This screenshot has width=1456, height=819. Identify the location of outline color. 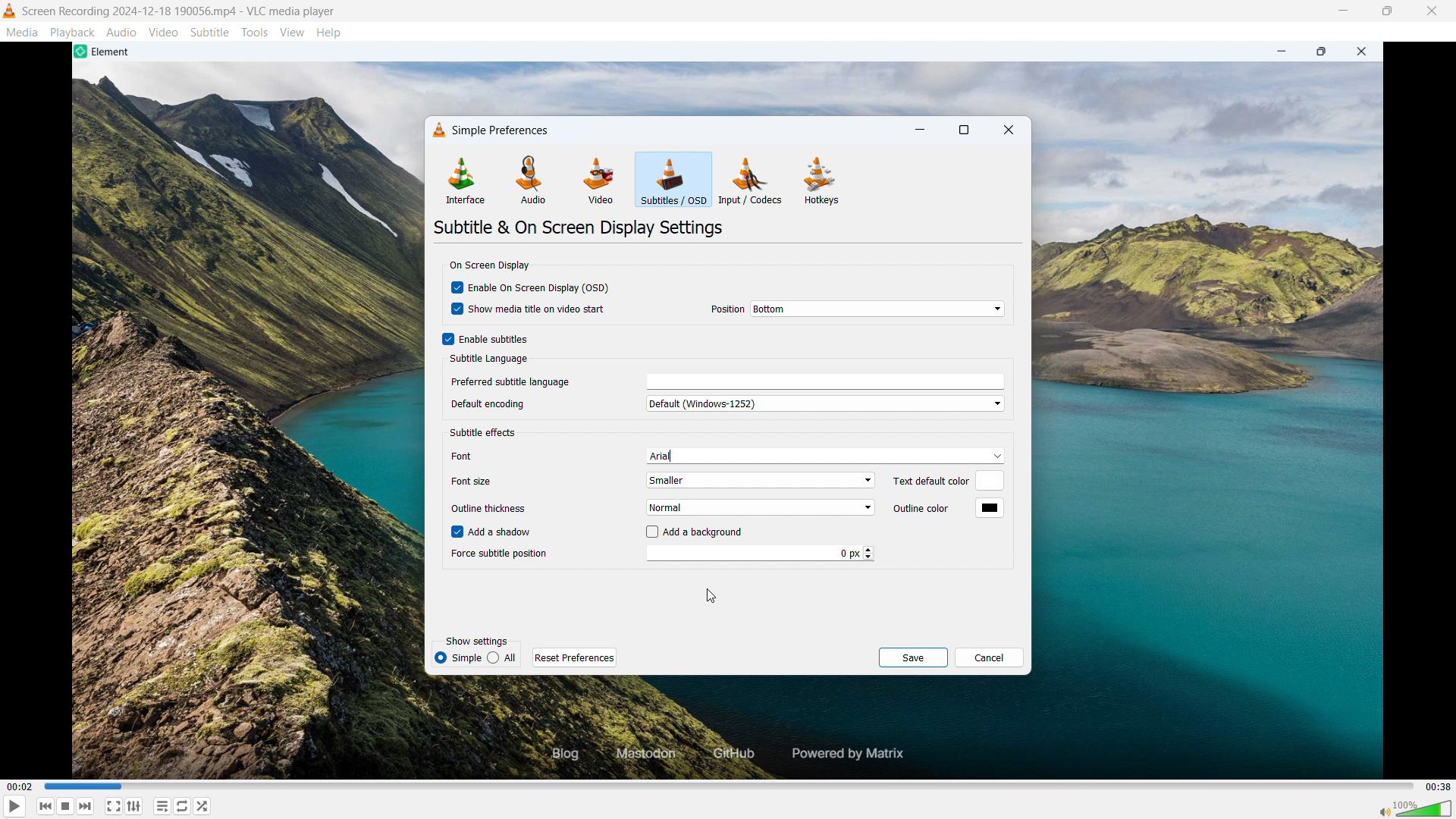
(990, 509).